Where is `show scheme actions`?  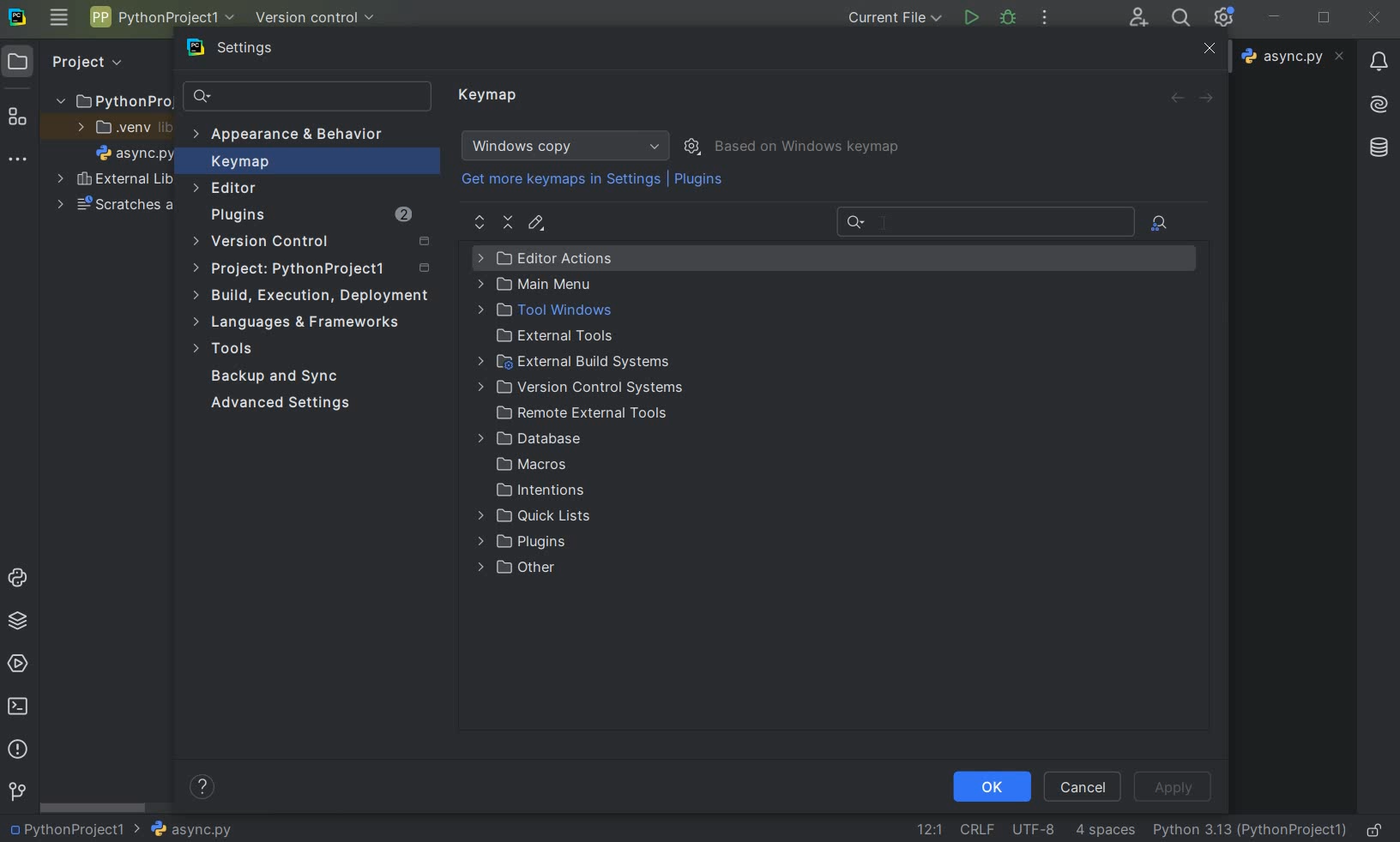 show scheme actions is located at coordinates (694, 145).